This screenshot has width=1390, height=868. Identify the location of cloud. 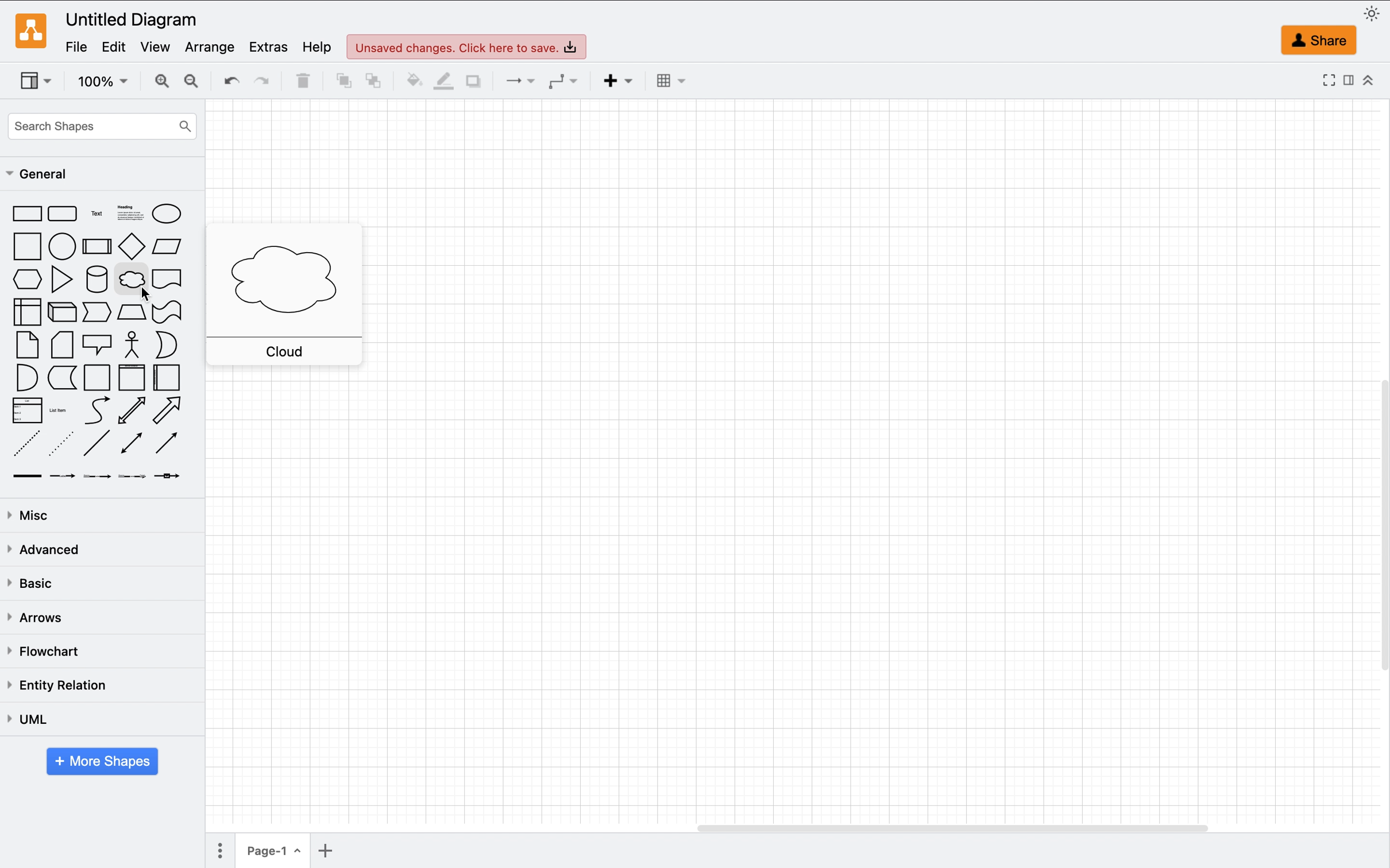
(131, 280).